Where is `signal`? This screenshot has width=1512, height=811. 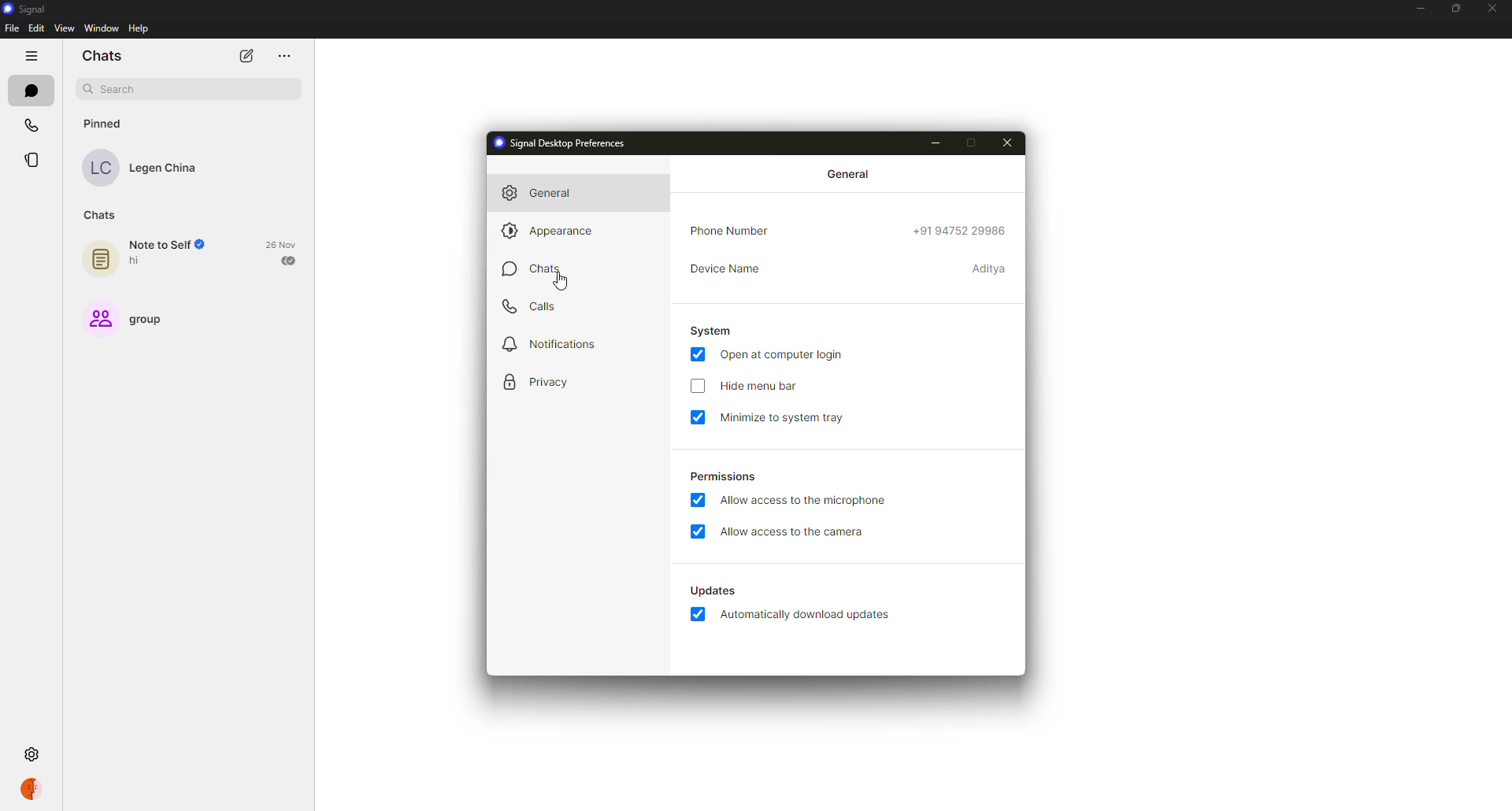 signal is located at coordinates (28, 9).